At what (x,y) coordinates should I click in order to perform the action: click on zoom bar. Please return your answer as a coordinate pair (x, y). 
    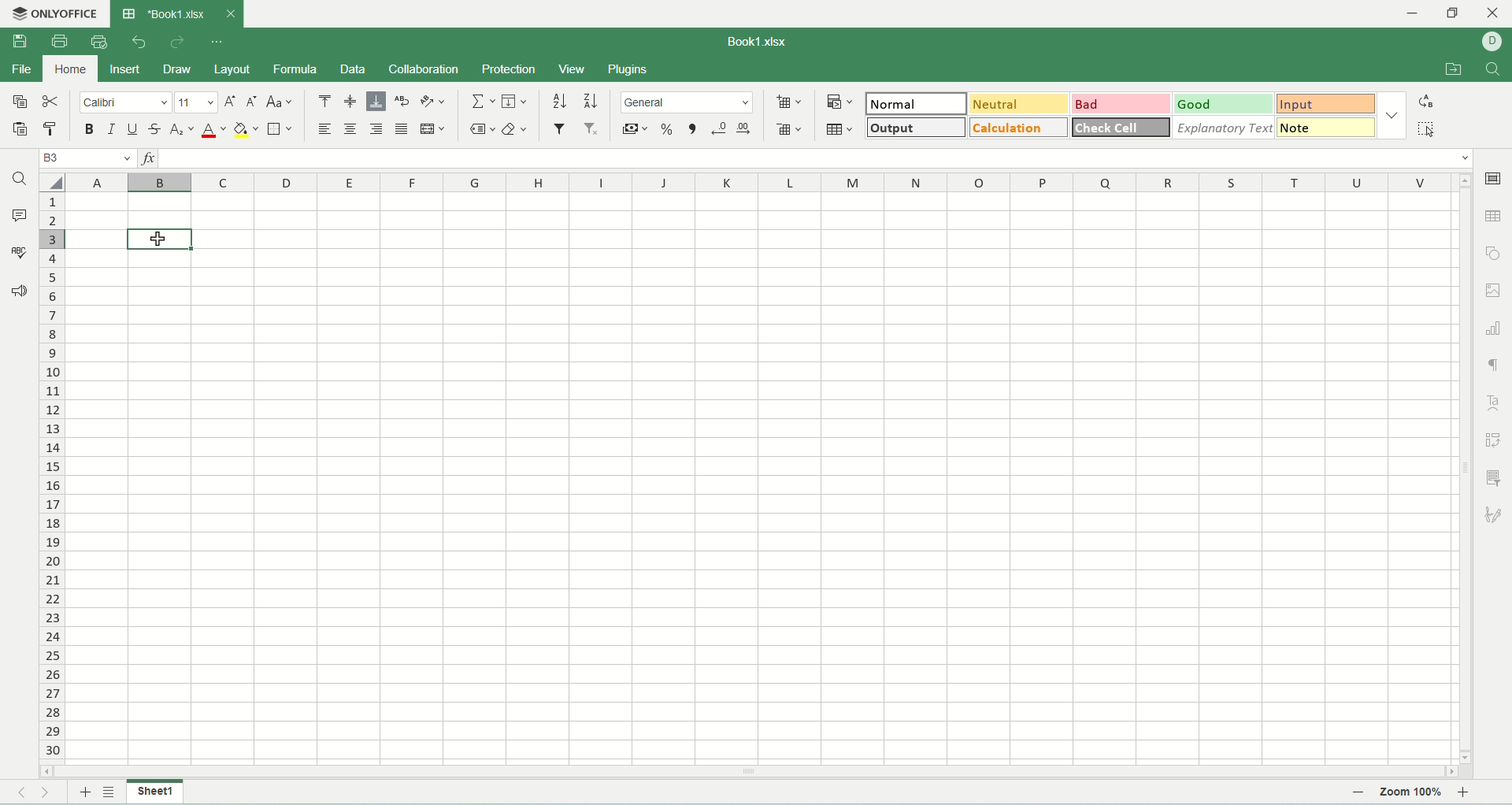
    Looking at the image, I should click on (1375, 793).